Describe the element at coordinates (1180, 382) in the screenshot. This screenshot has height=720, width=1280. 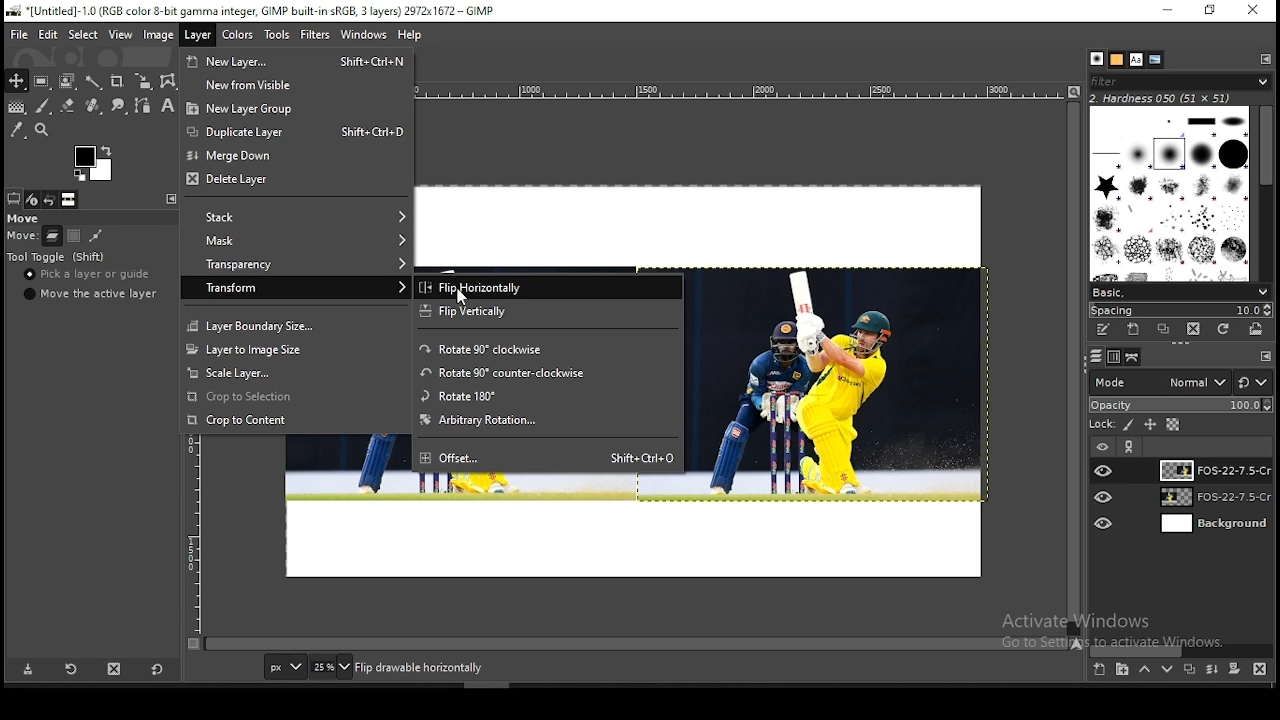
I see `blend mode` at that location.